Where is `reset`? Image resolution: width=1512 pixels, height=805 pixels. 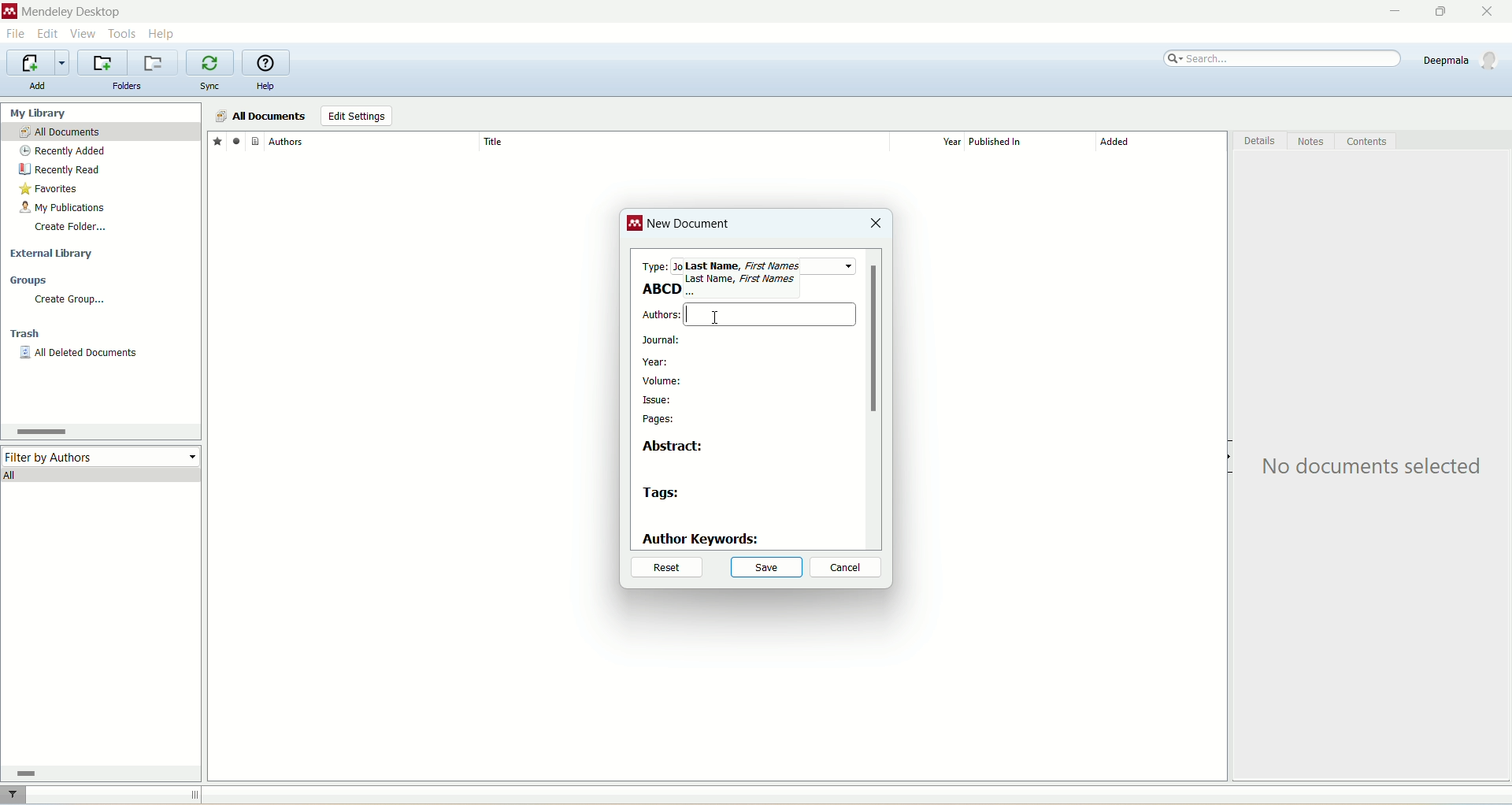 reset is located at coordinates (665, 569).